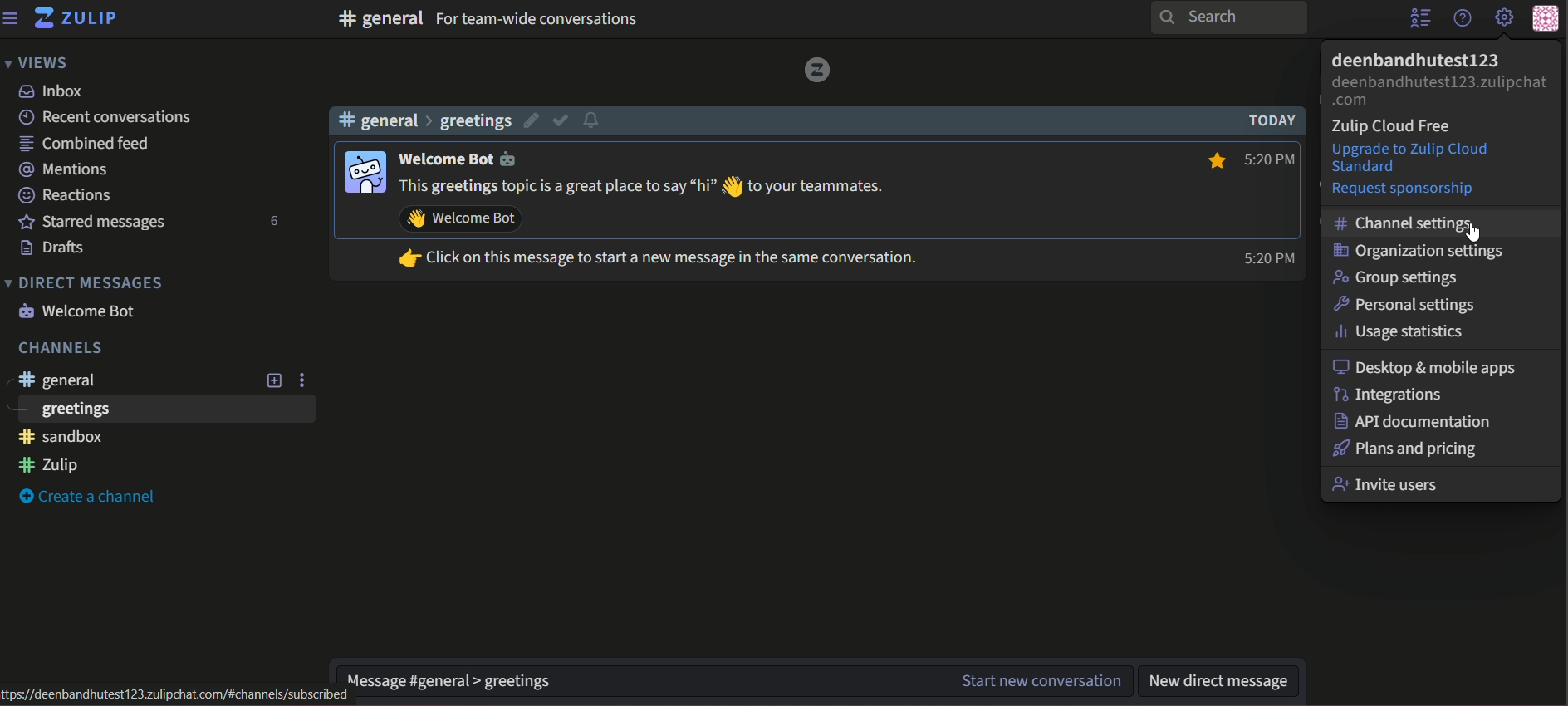  What do you see at coordinates (1268, 207) in the screenshot?
I see `time` at bounding box center [1268, 207].